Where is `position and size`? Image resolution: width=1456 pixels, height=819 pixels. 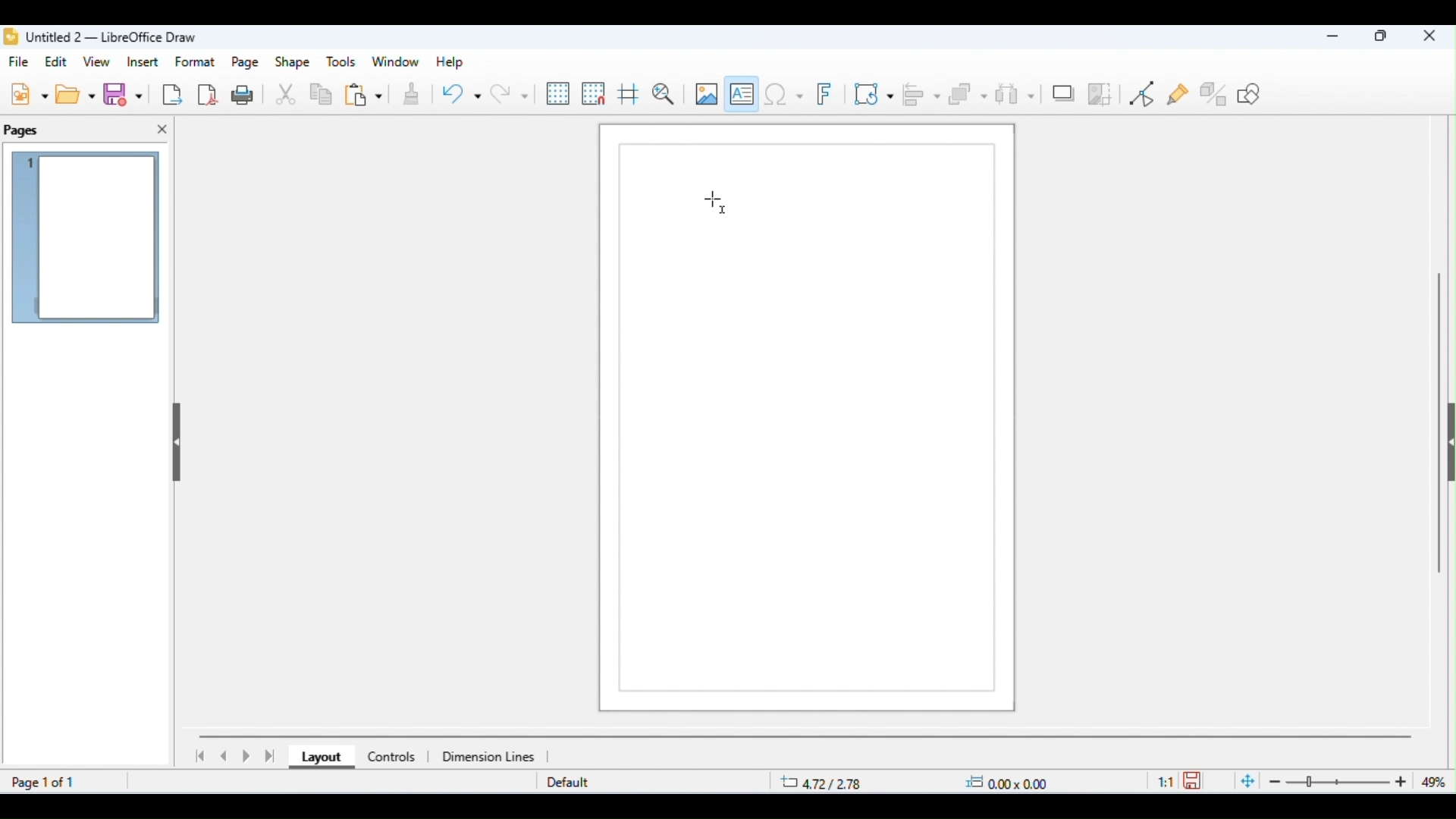
position and size is located at coordinates (916, 783).